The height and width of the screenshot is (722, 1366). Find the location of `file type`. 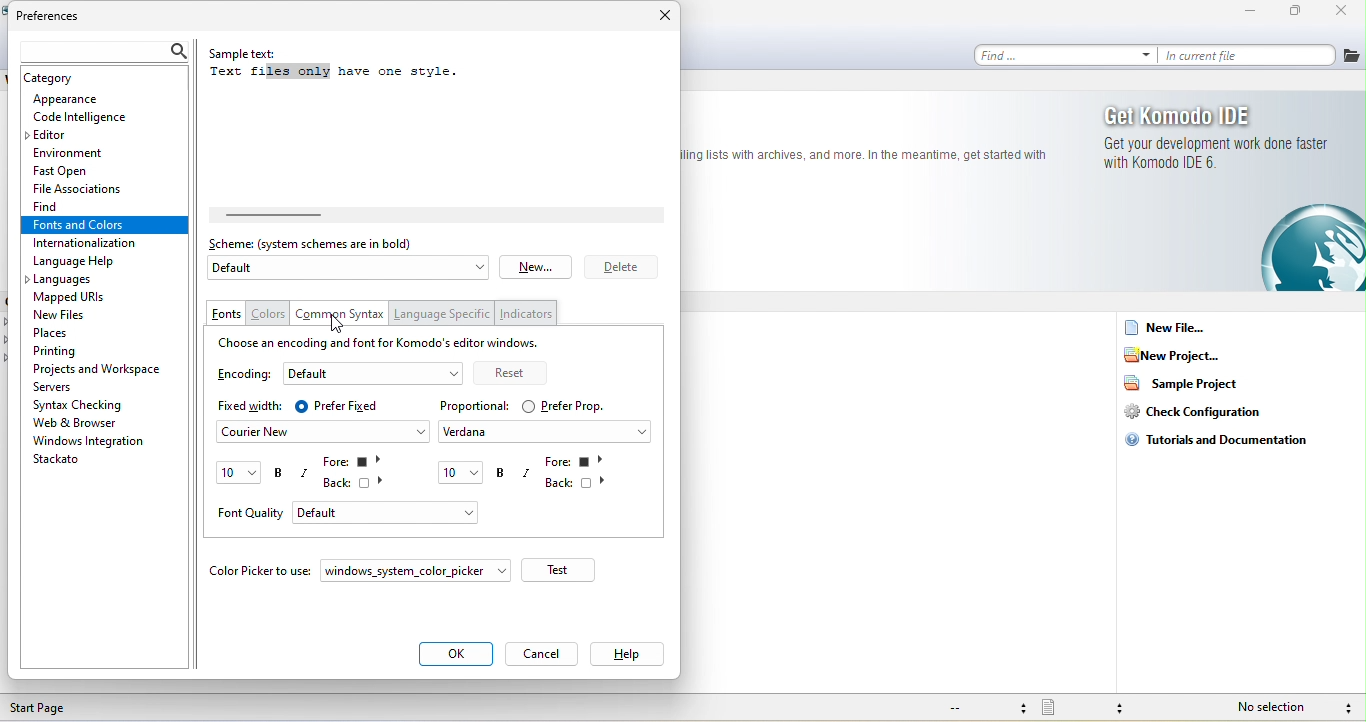

file type is located at coordinates (1092, 707).